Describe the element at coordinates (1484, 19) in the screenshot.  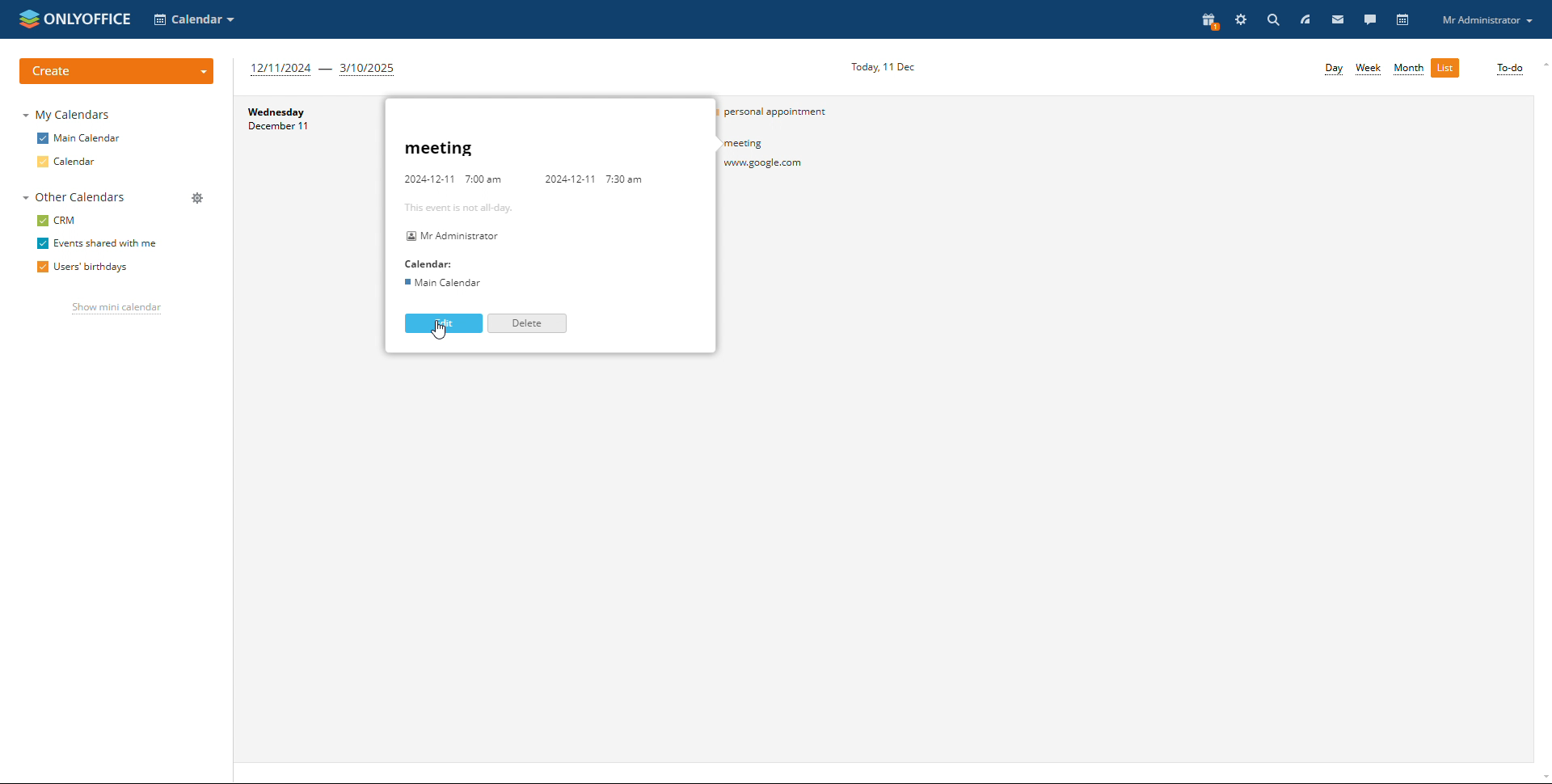
I see `profile` at that location.